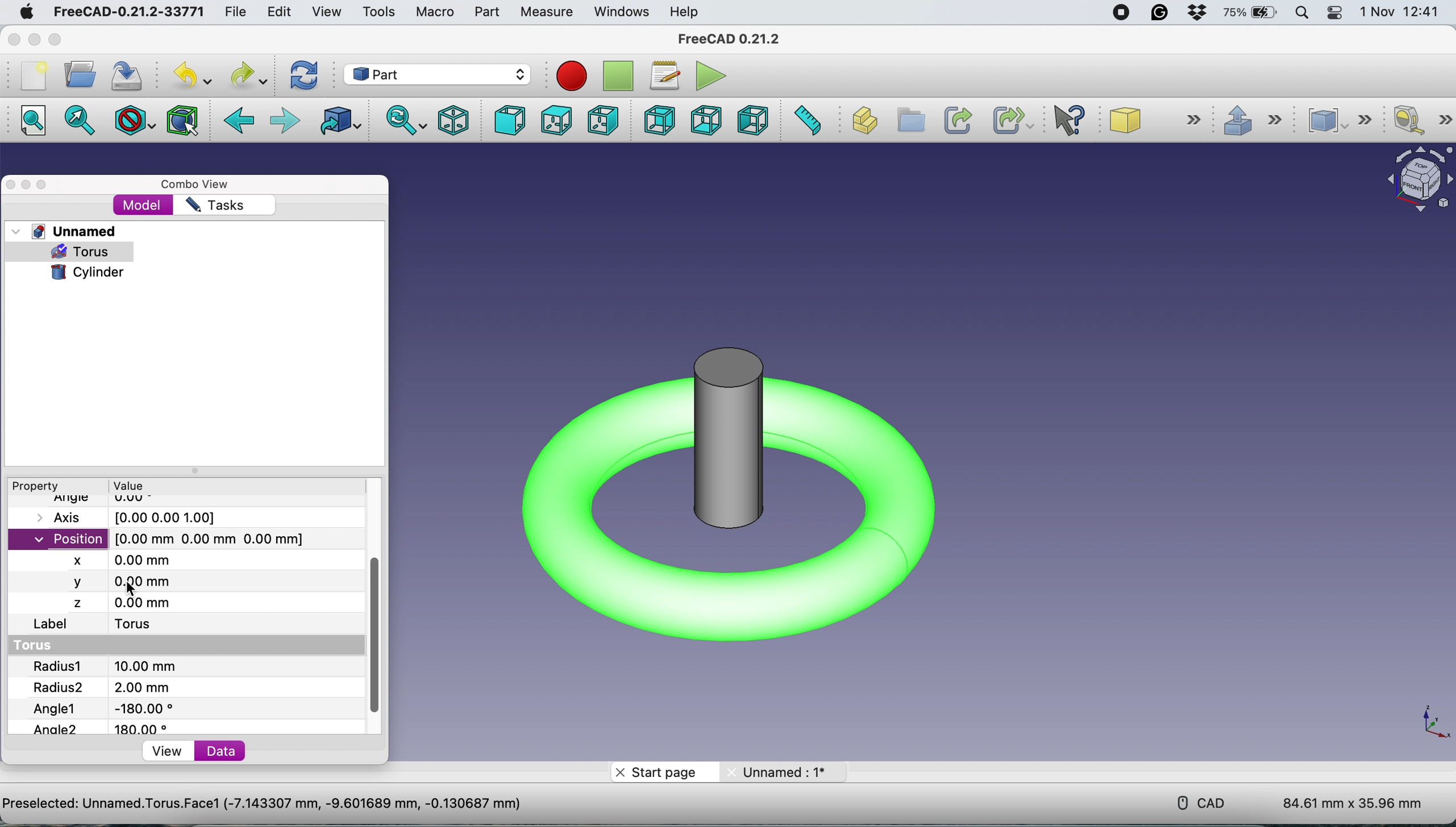 Image resolution: width=1456 pixels, height=827 pixels. I want to click on combo view, so click(201, 185).